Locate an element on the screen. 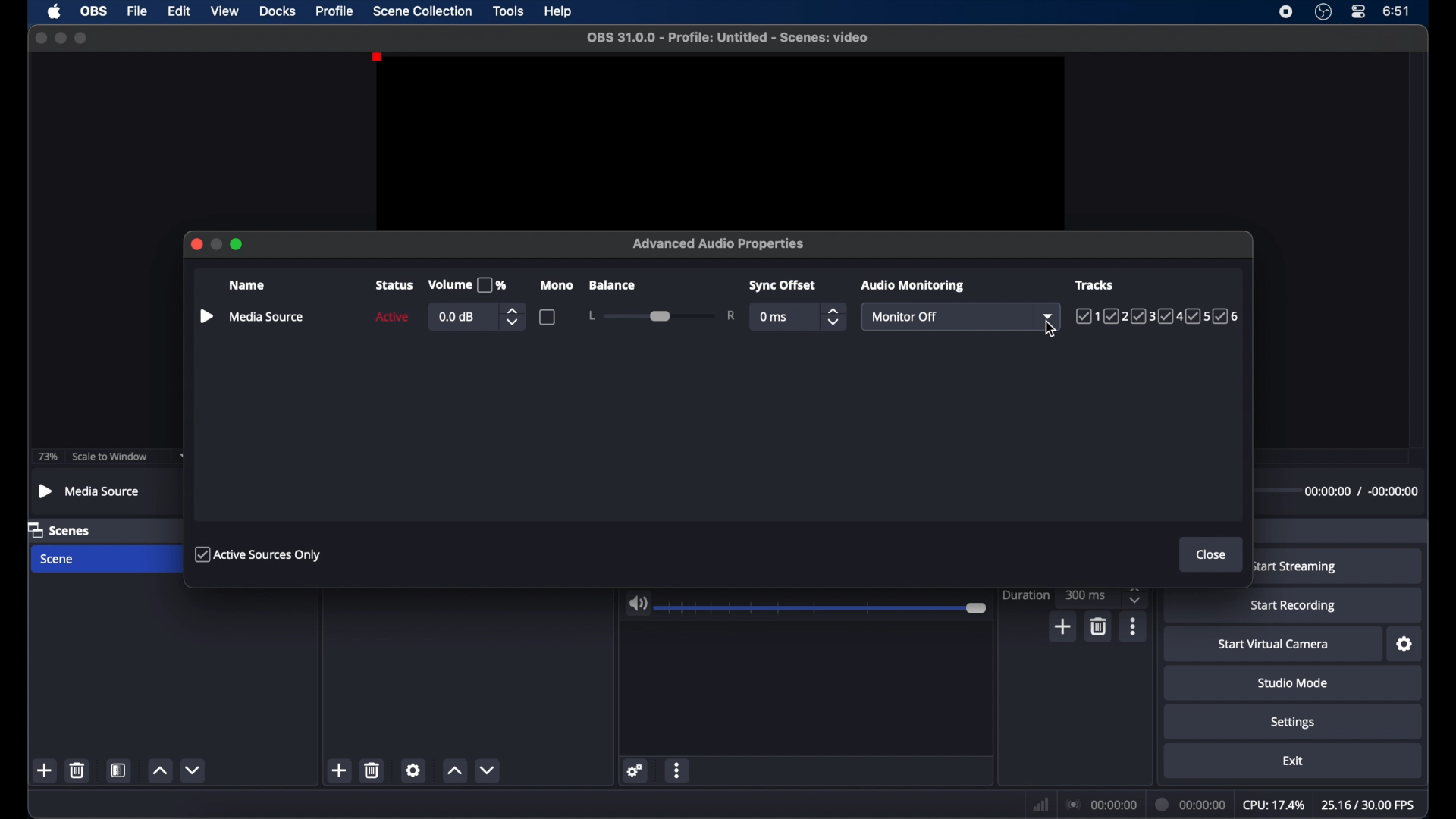 The image size is (1456, 819). advanced audio properties is located at coordinates (719, 244).